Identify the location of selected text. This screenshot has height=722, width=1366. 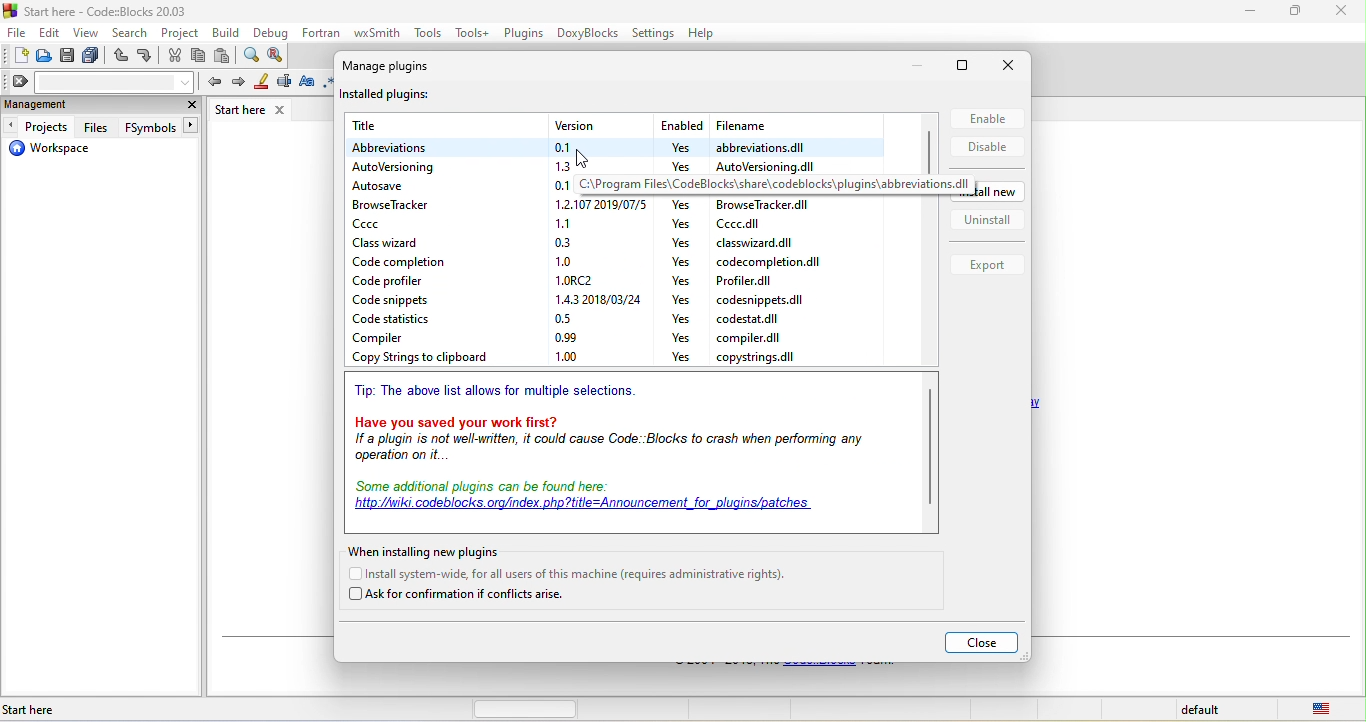
(284, 84).